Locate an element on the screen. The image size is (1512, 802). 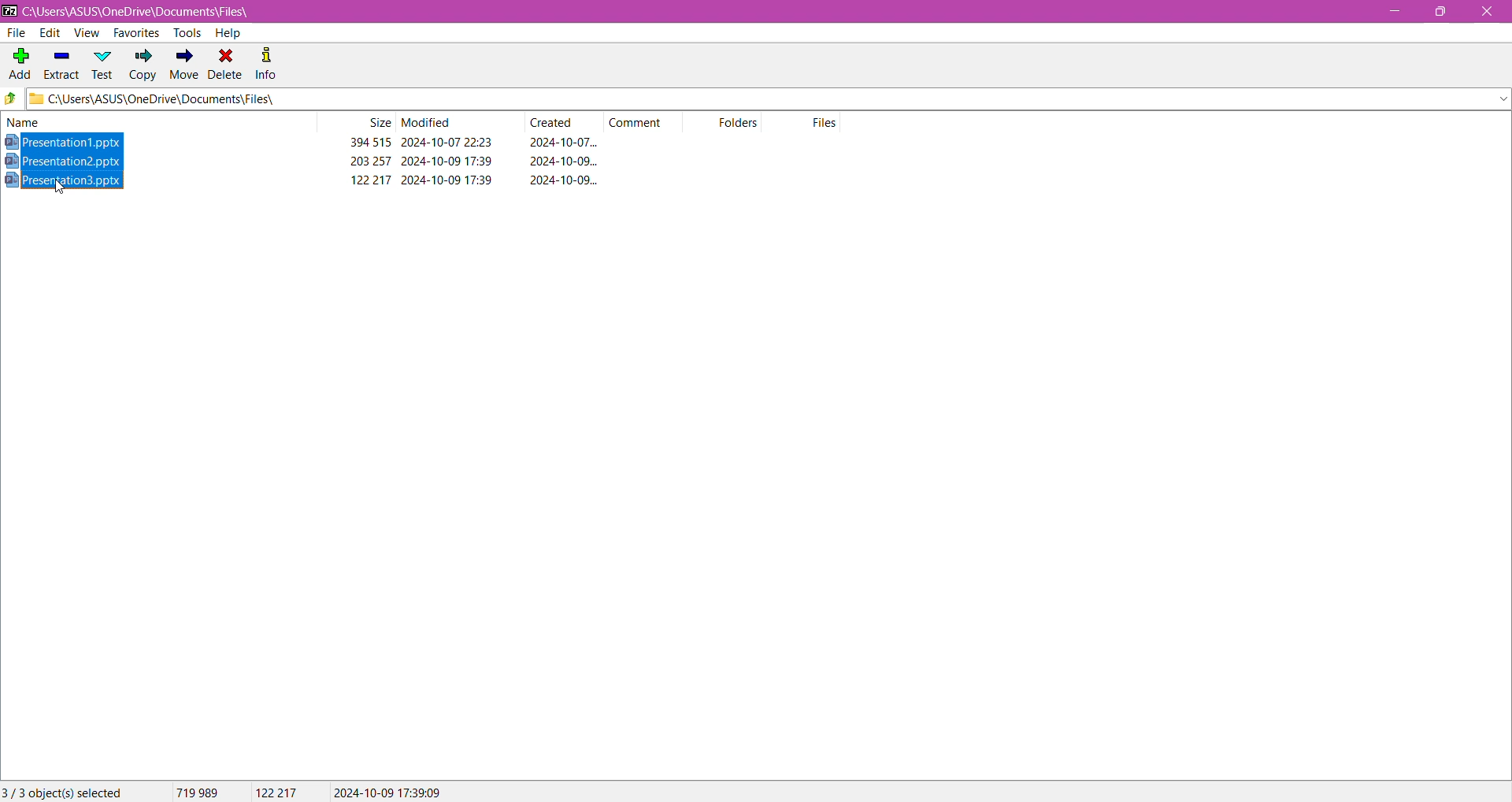
Info is located at coordinates (267, 62).